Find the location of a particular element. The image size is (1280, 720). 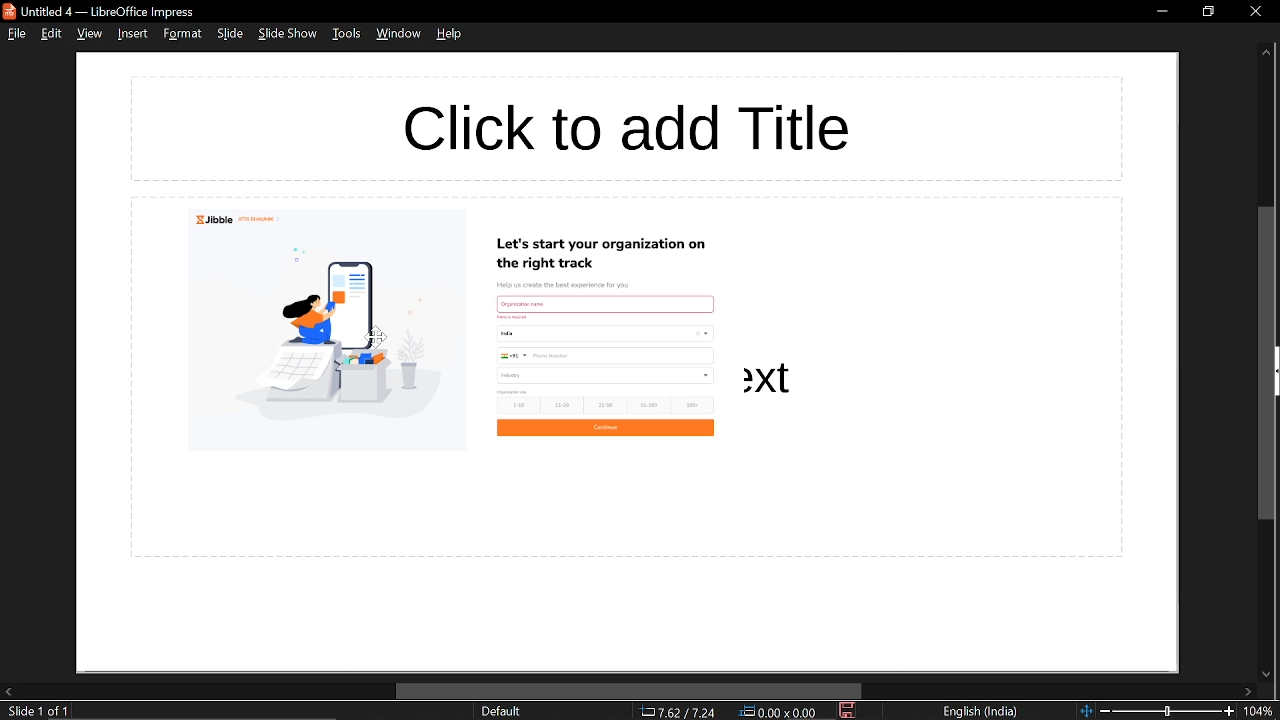

file is located at coordinates (16, 33).